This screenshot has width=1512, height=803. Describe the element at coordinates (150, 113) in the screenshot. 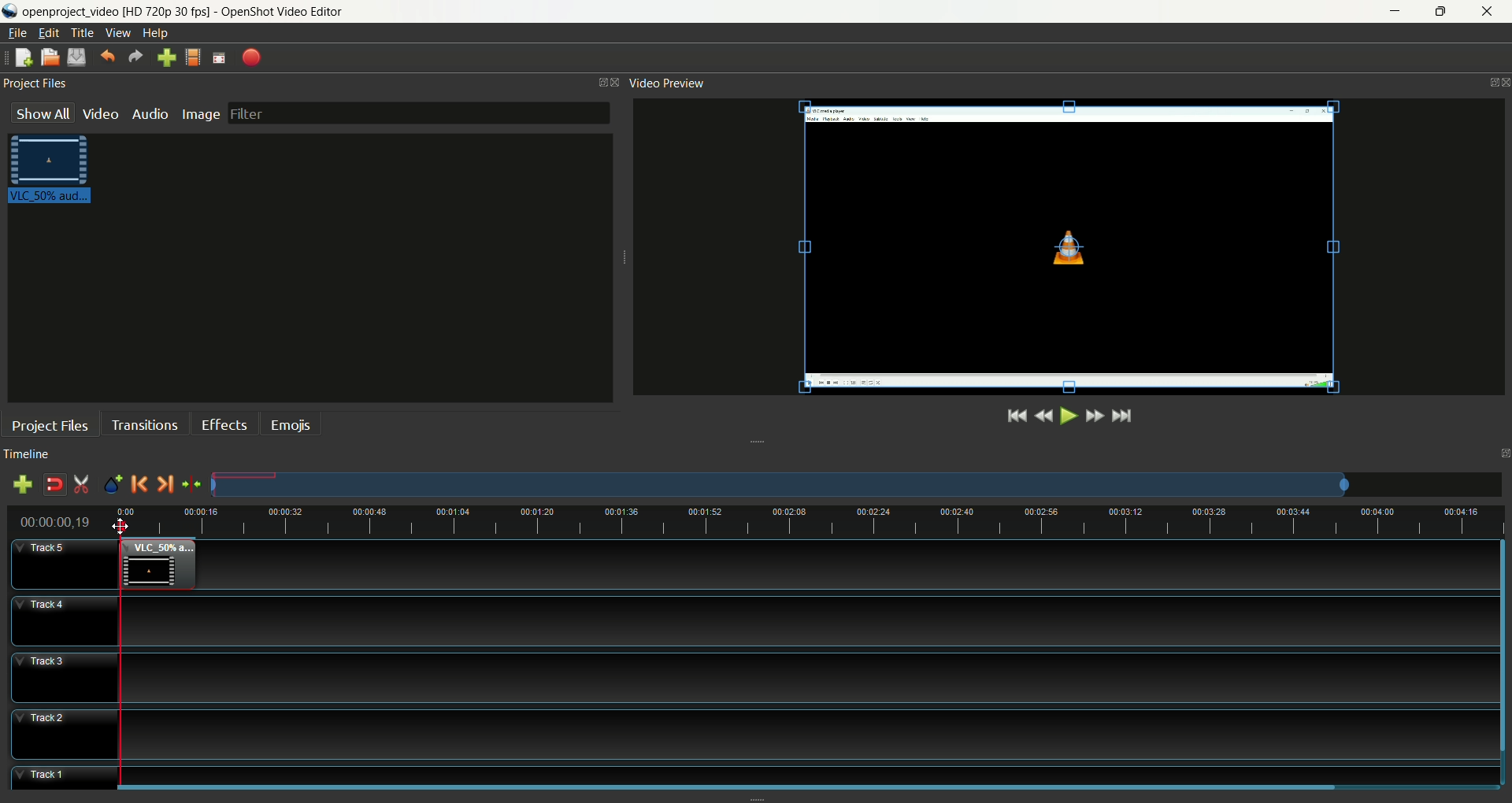

I see `audio` at that location.